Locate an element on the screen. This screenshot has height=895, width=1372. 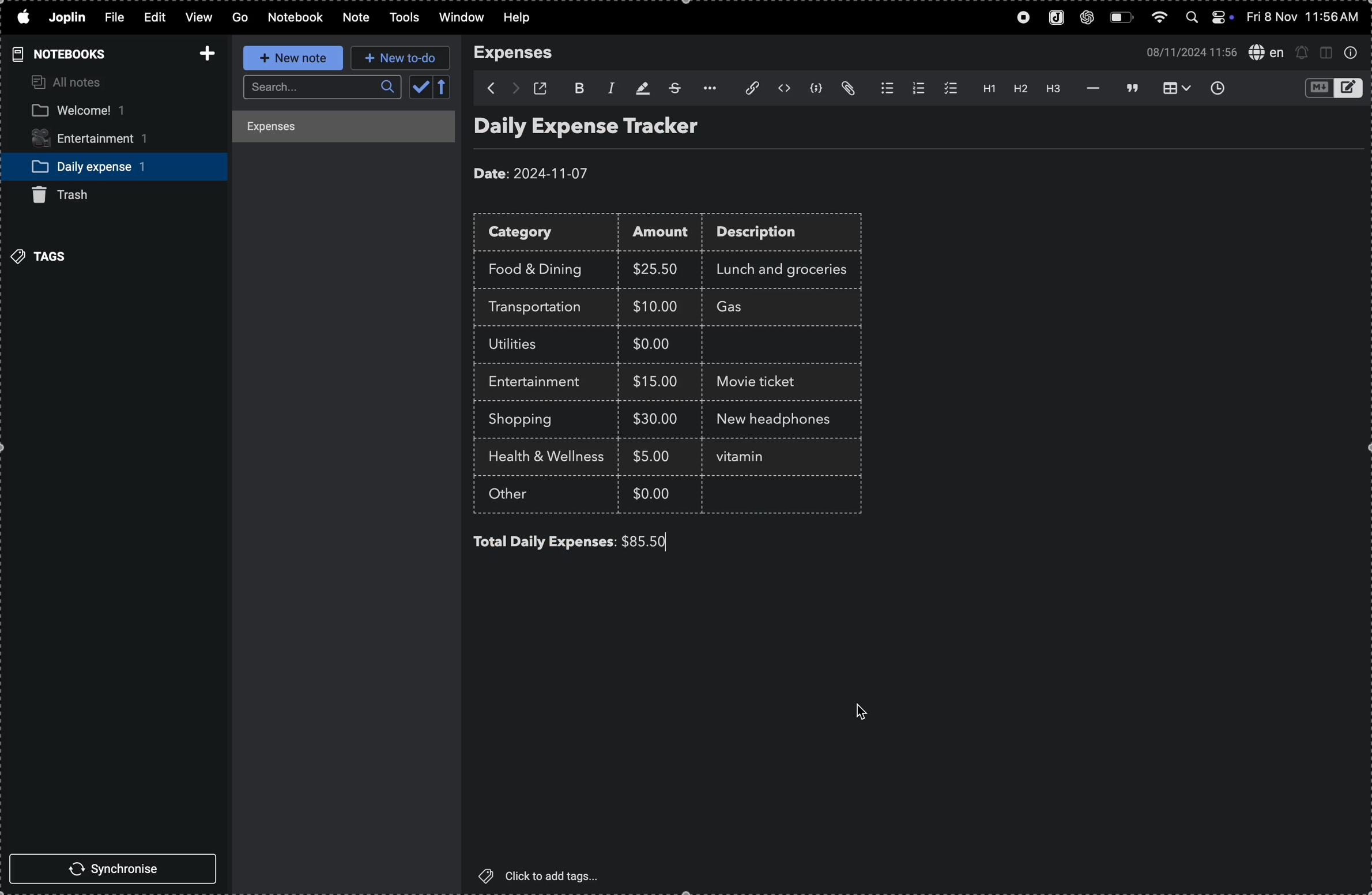
$5.00 is located at coordinates (654, 456).